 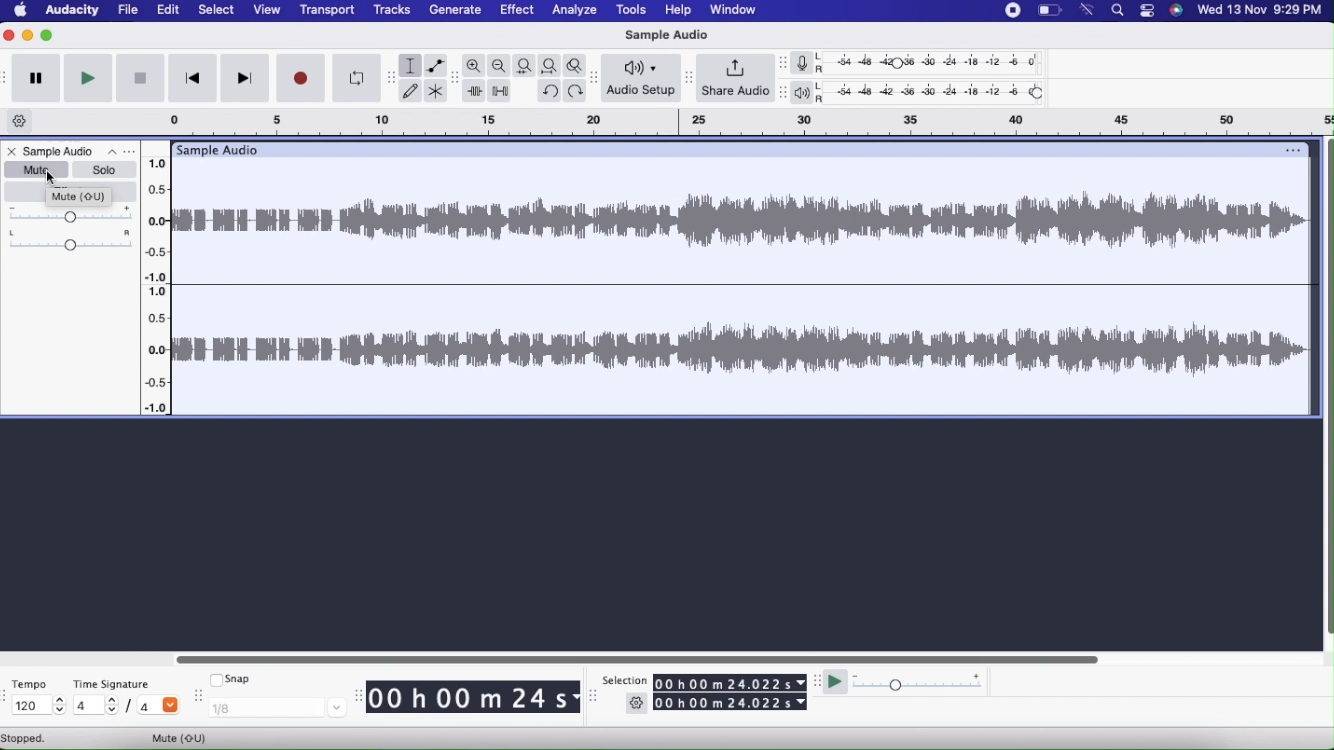 I want to click on File name, so click(x=81, y=150).